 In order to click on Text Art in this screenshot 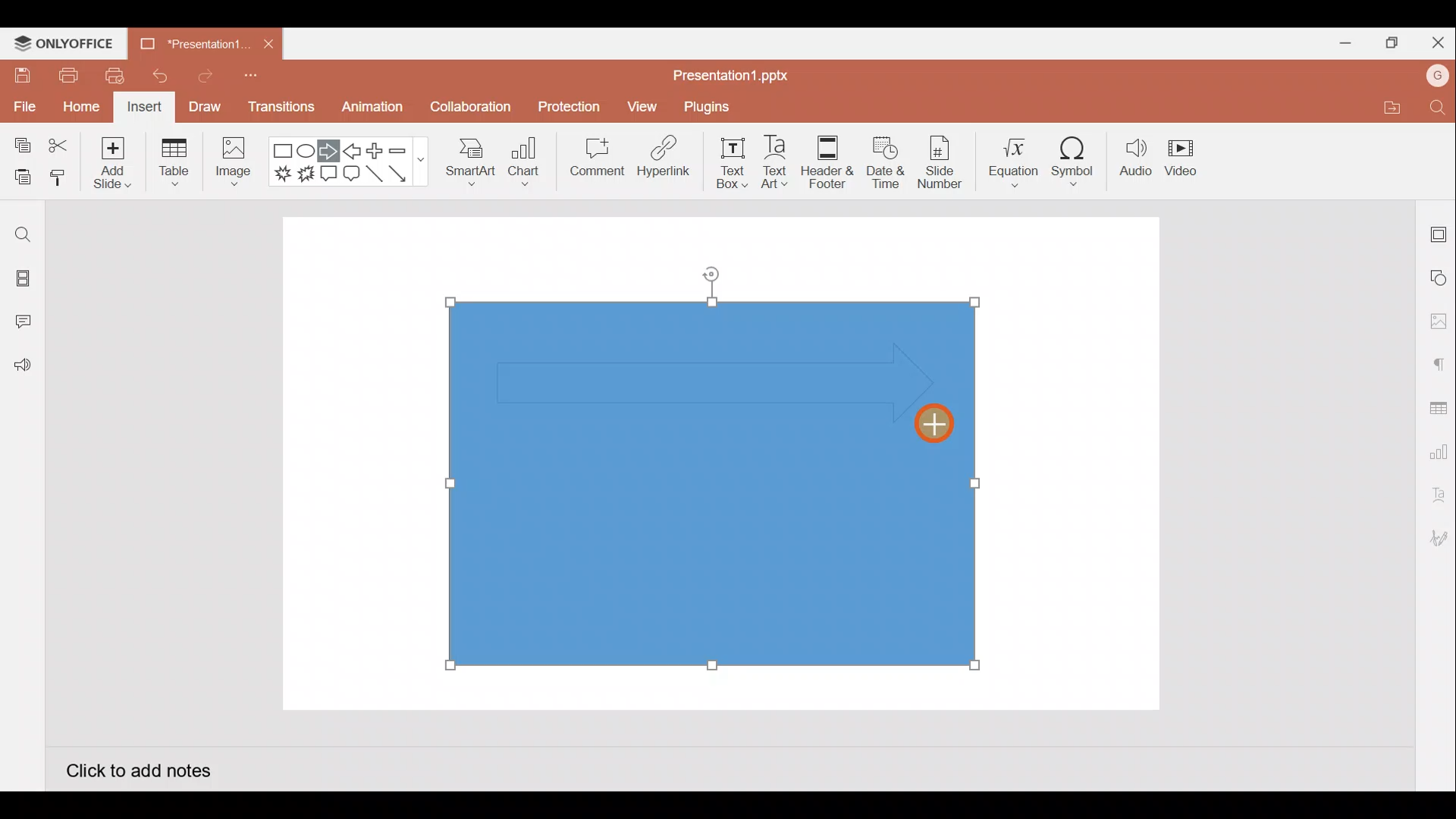, I will do `click(781, 158)`.